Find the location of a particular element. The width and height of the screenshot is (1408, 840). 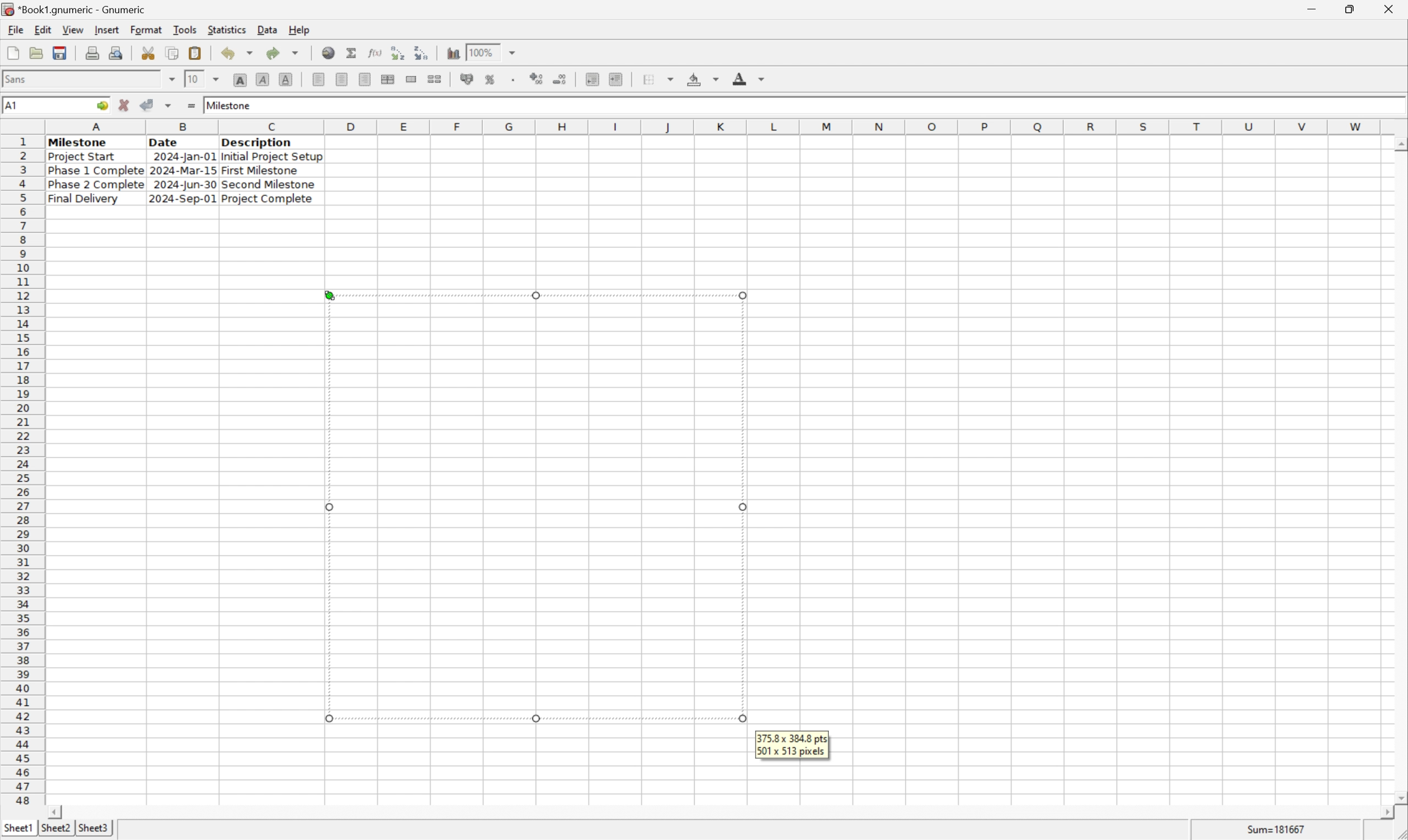

area for chart selected is located at coordinates (533, 507).